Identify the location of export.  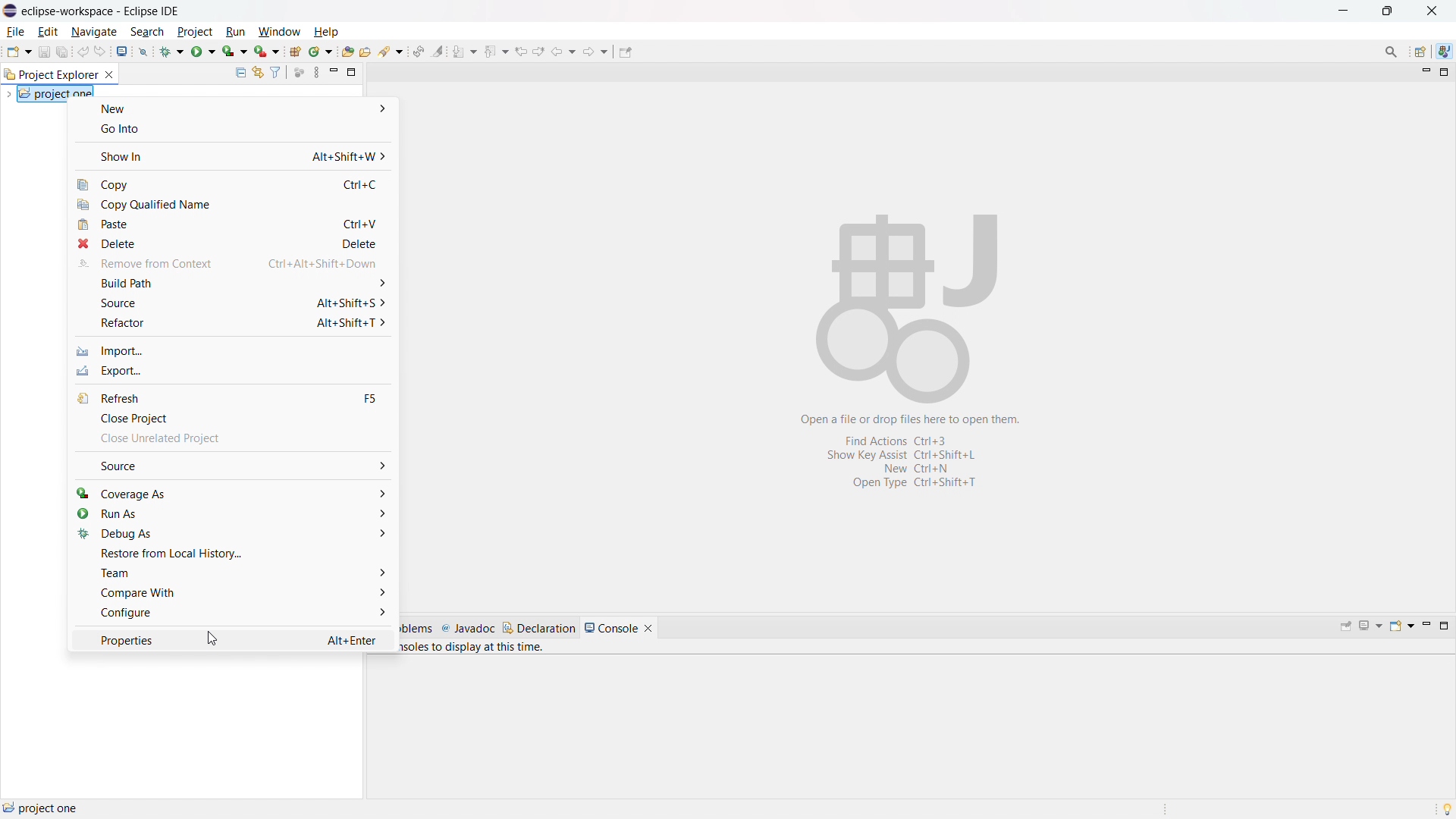
(231, 371).